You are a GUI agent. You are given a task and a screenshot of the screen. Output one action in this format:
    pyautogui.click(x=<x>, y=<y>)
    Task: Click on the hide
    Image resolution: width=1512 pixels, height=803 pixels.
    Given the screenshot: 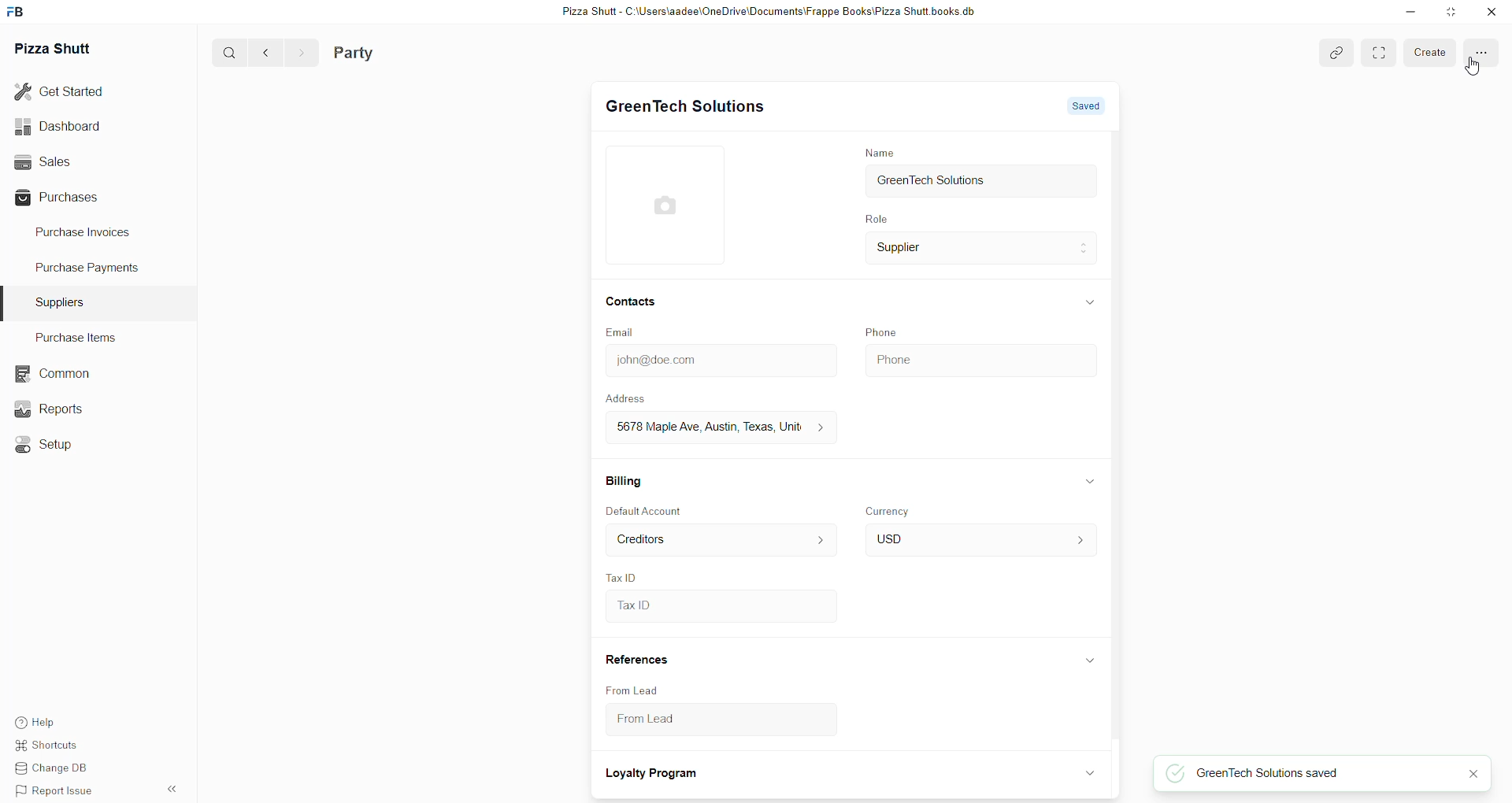 What is the action you would take?
    pyautogui.click(x=170, y=790)
    